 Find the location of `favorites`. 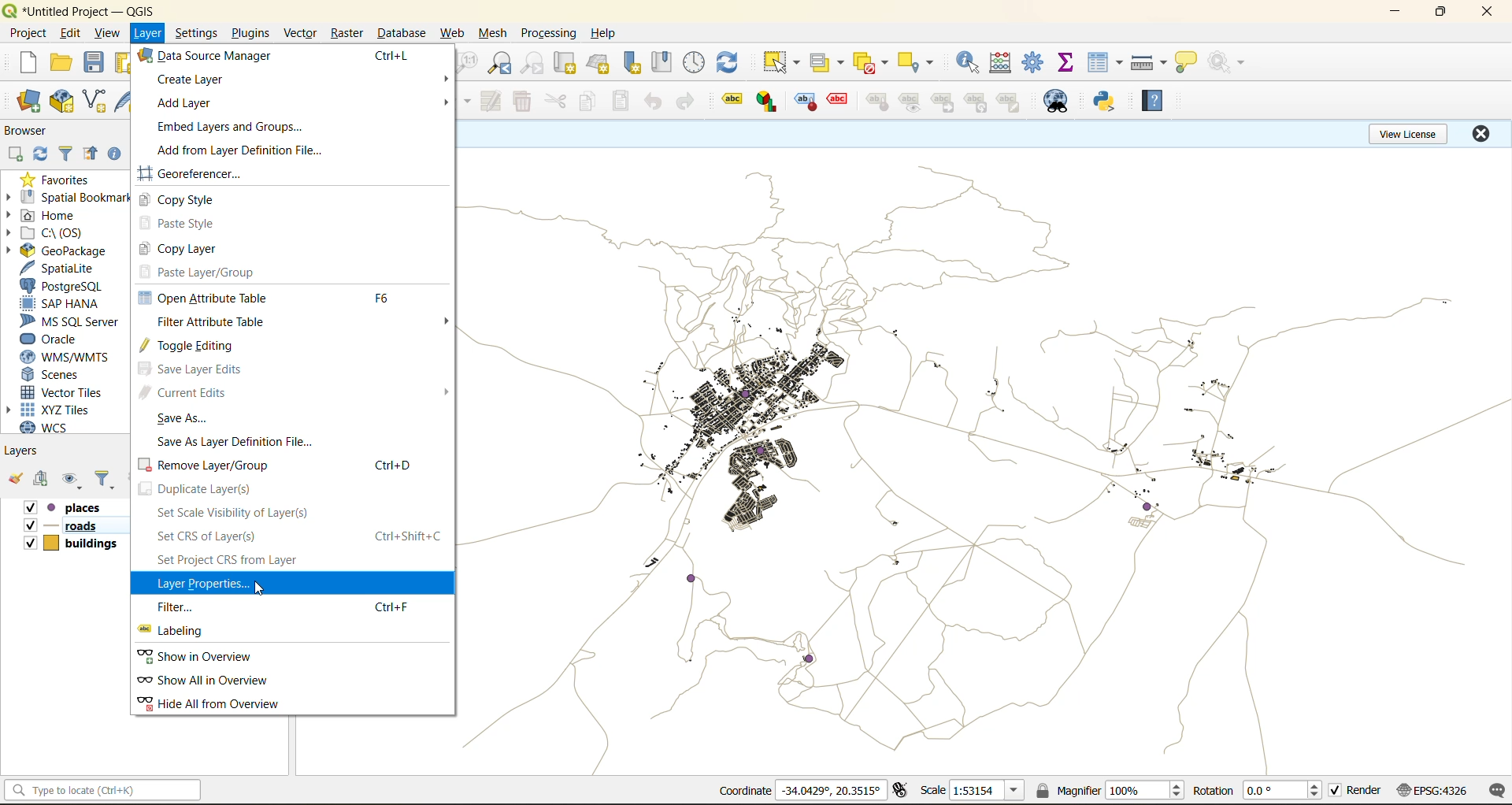

favorites is located at coordinates (65, 179).